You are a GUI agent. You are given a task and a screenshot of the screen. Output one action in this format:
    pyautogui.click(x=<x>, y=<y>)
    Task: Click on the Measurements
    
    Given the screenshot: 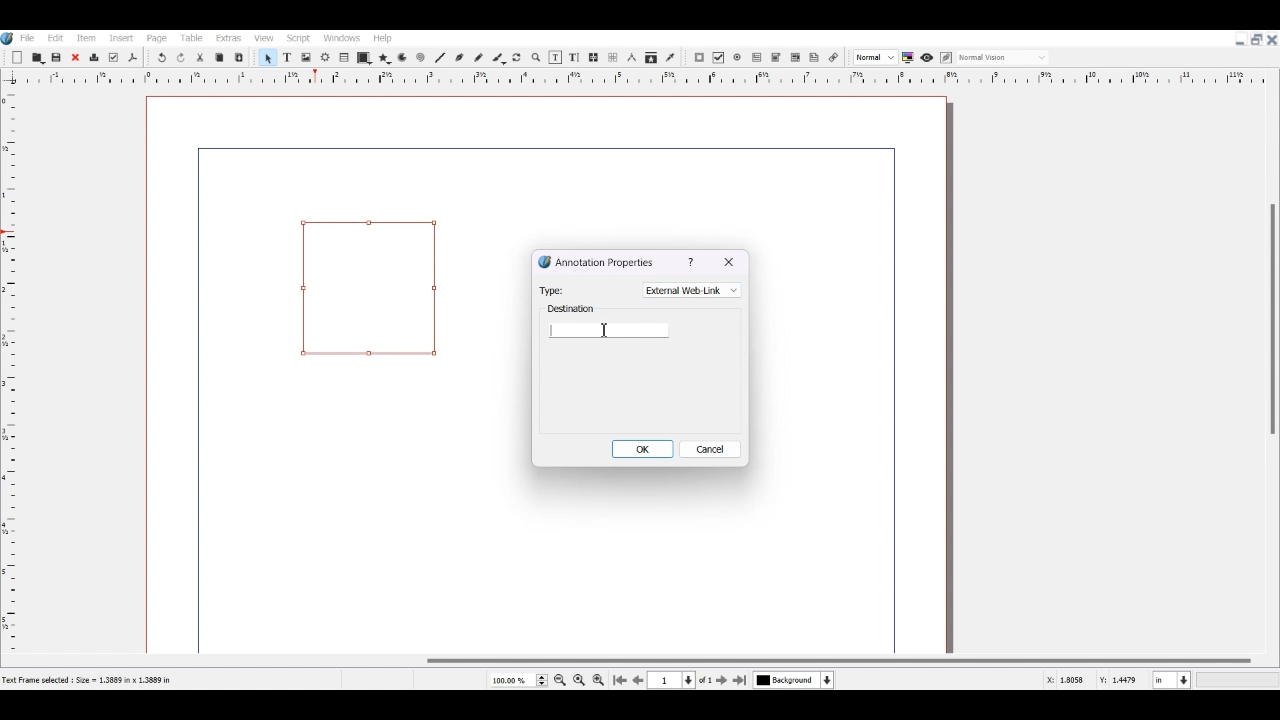 What is the action you would take?
    pyautogui.click(x=631, y=58)
    